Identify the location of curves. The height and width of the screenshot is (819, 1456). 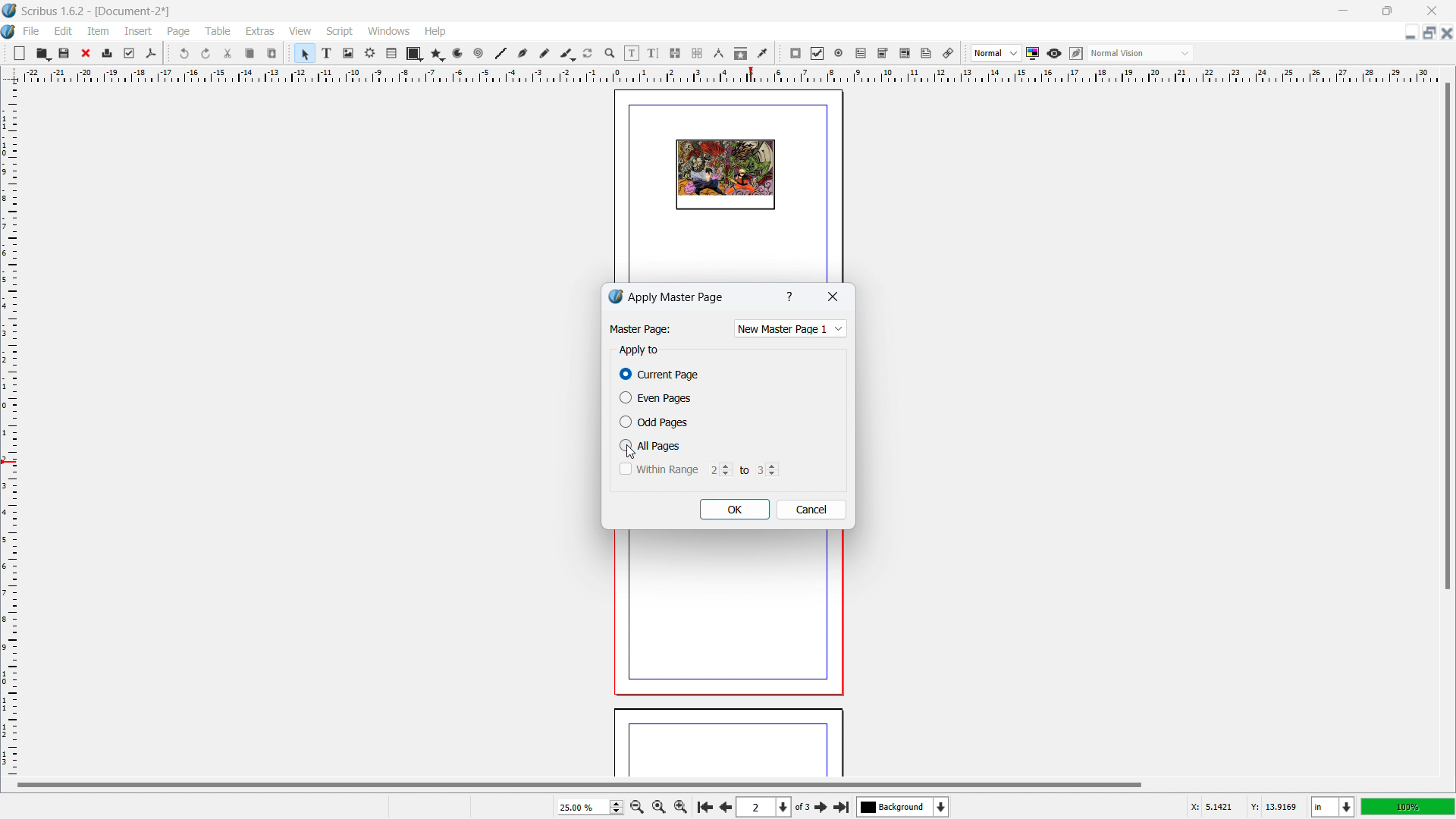
(460, 54).